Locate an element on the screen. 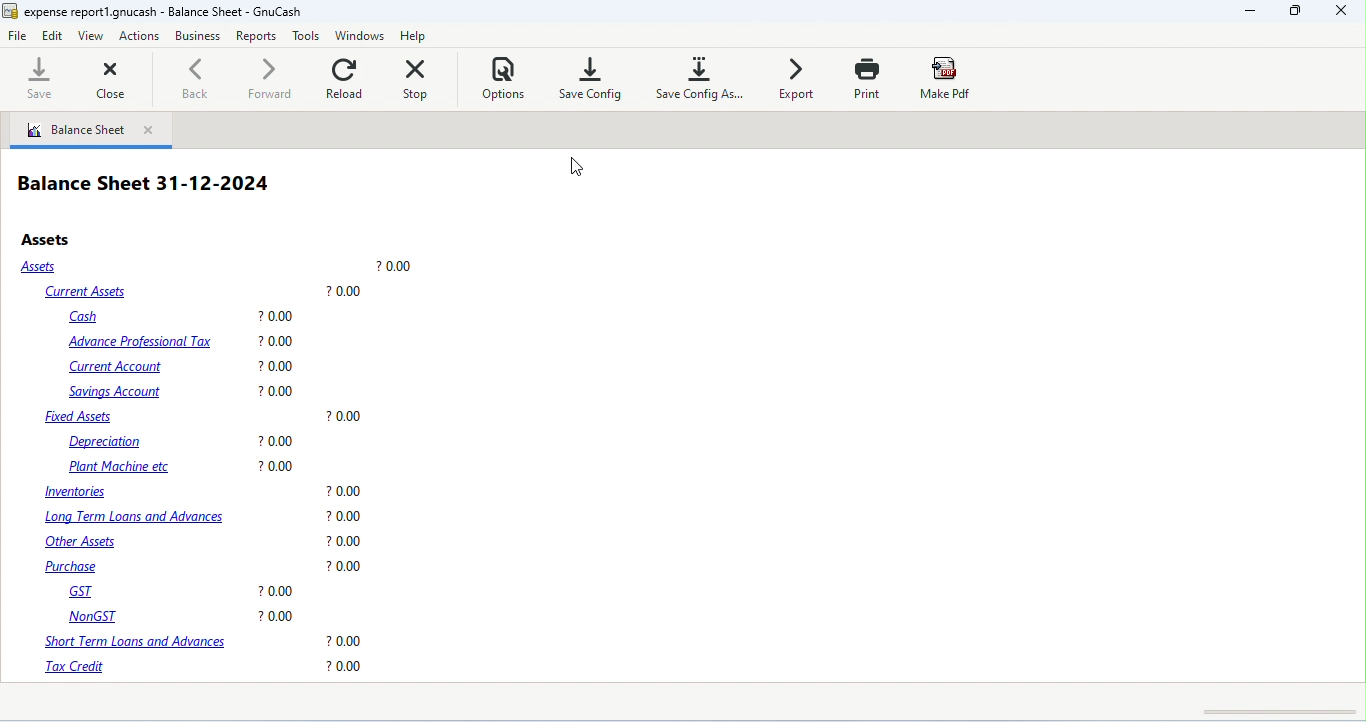 The width and height of the screenshot is (1366, 722). balance sheet is located at coordinates (77, 132).